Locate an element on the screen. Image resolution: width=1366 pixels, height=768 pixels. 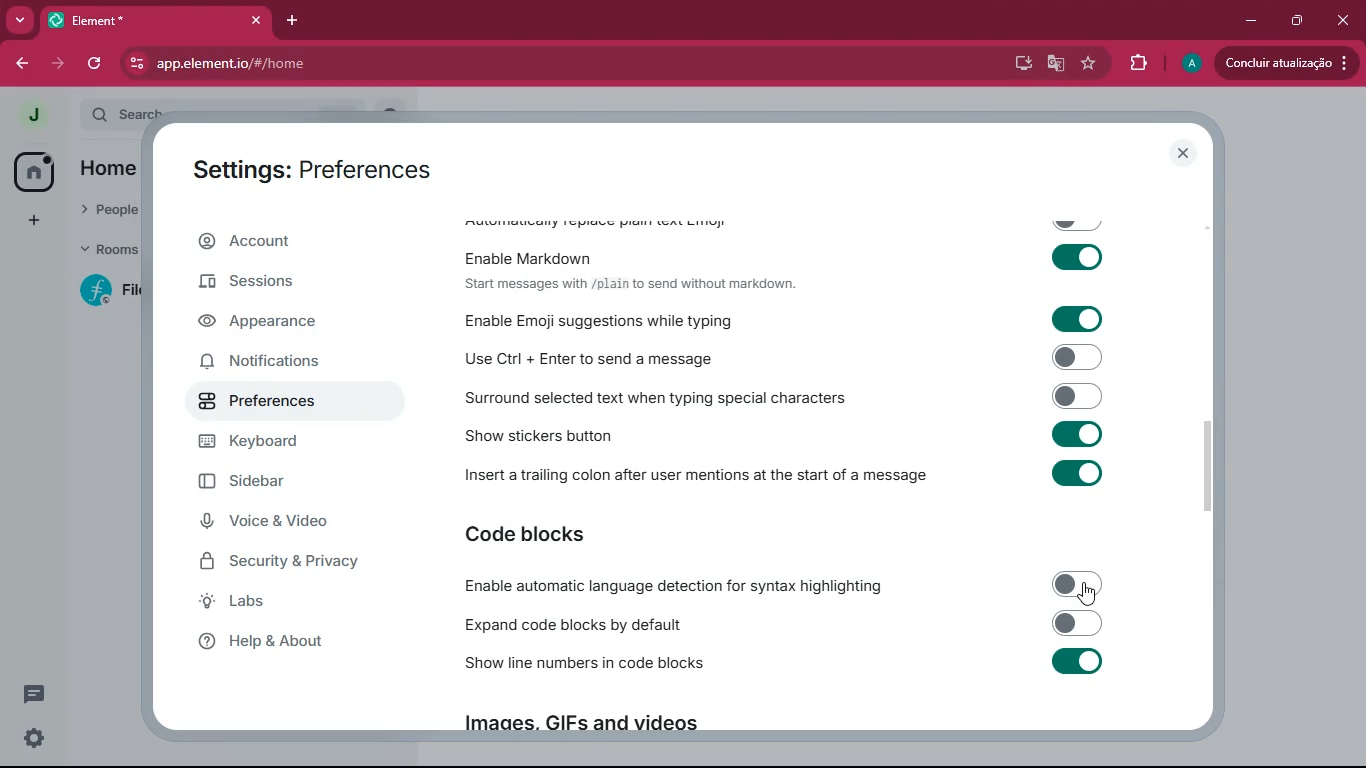
Enable Emoji suggestions while typing is located at coordinates (778, 319).